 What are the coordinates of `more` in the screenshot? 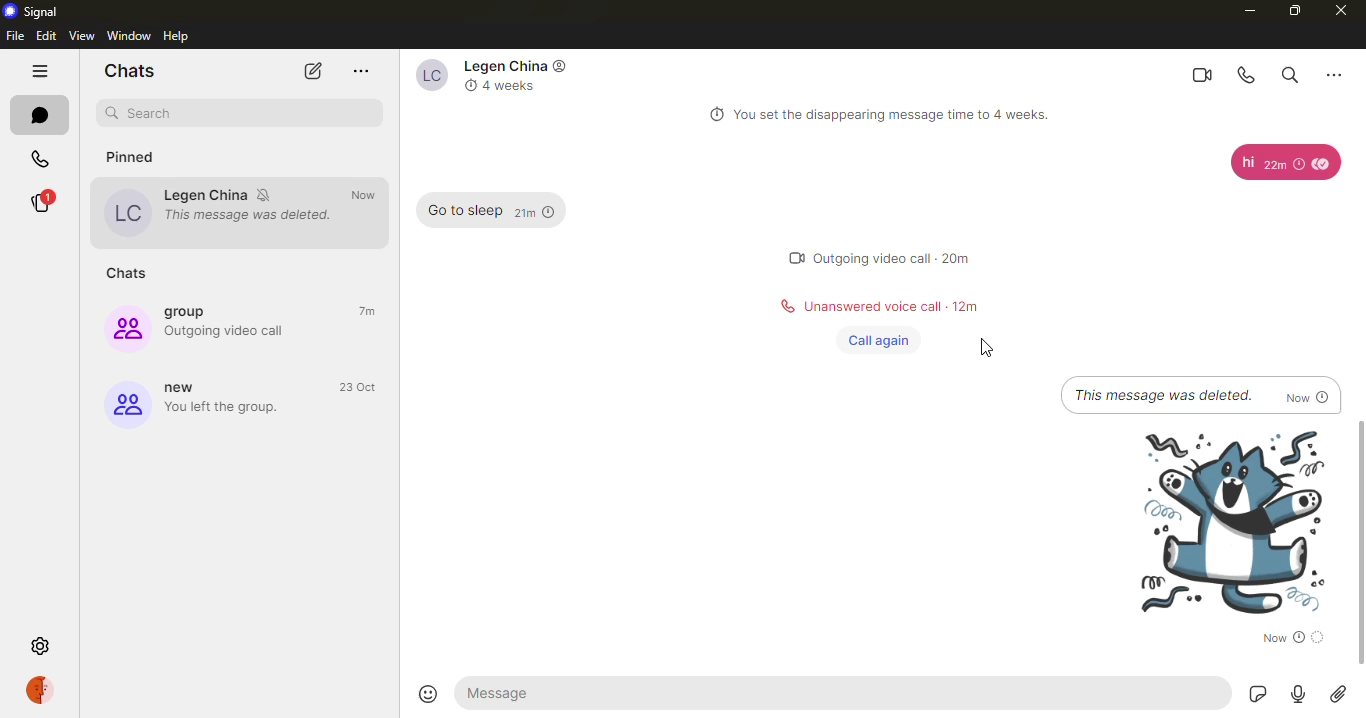 It's located at (360, 70).